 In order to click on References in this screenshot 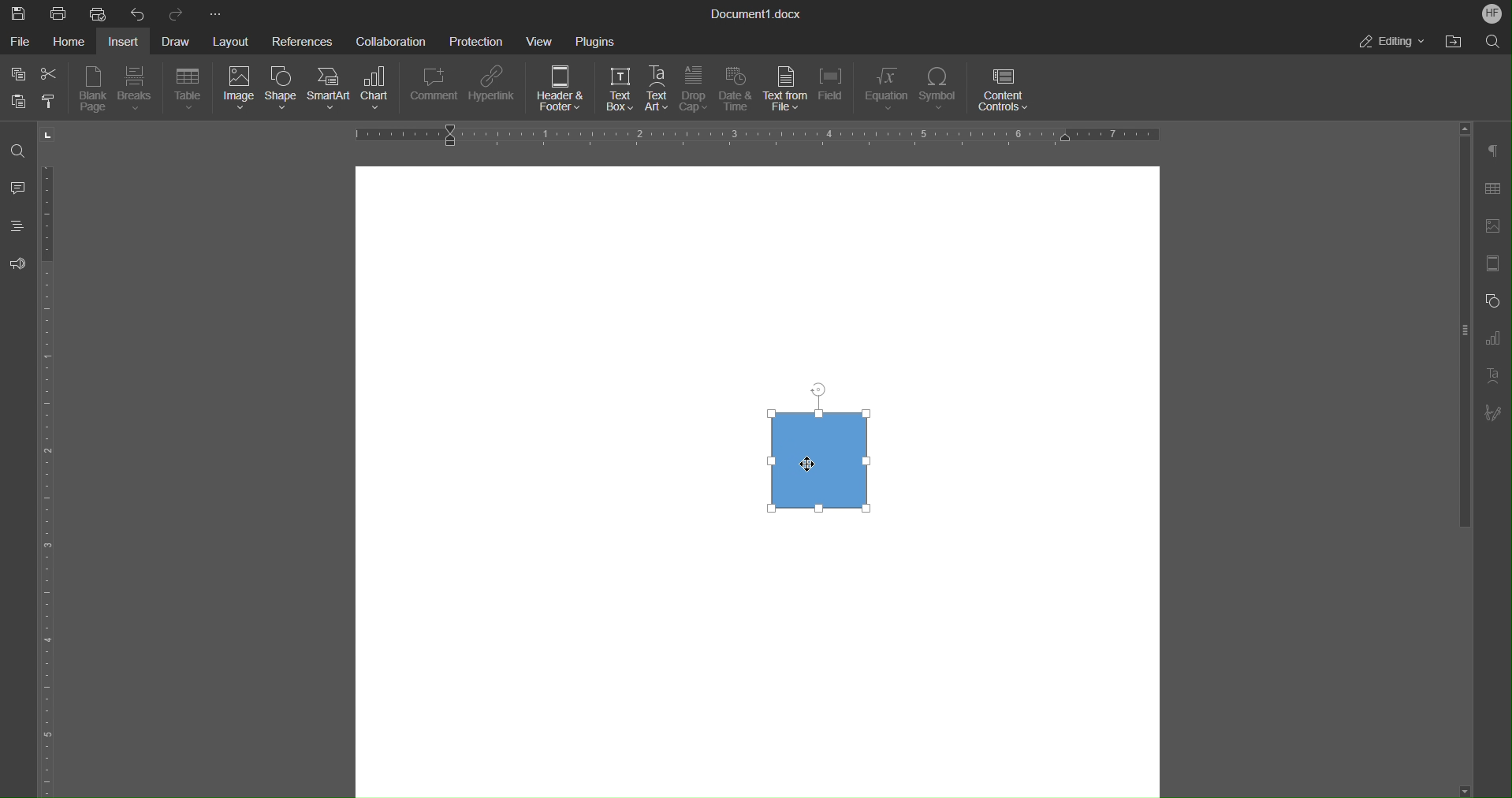, I will do `click(302, 40)`.